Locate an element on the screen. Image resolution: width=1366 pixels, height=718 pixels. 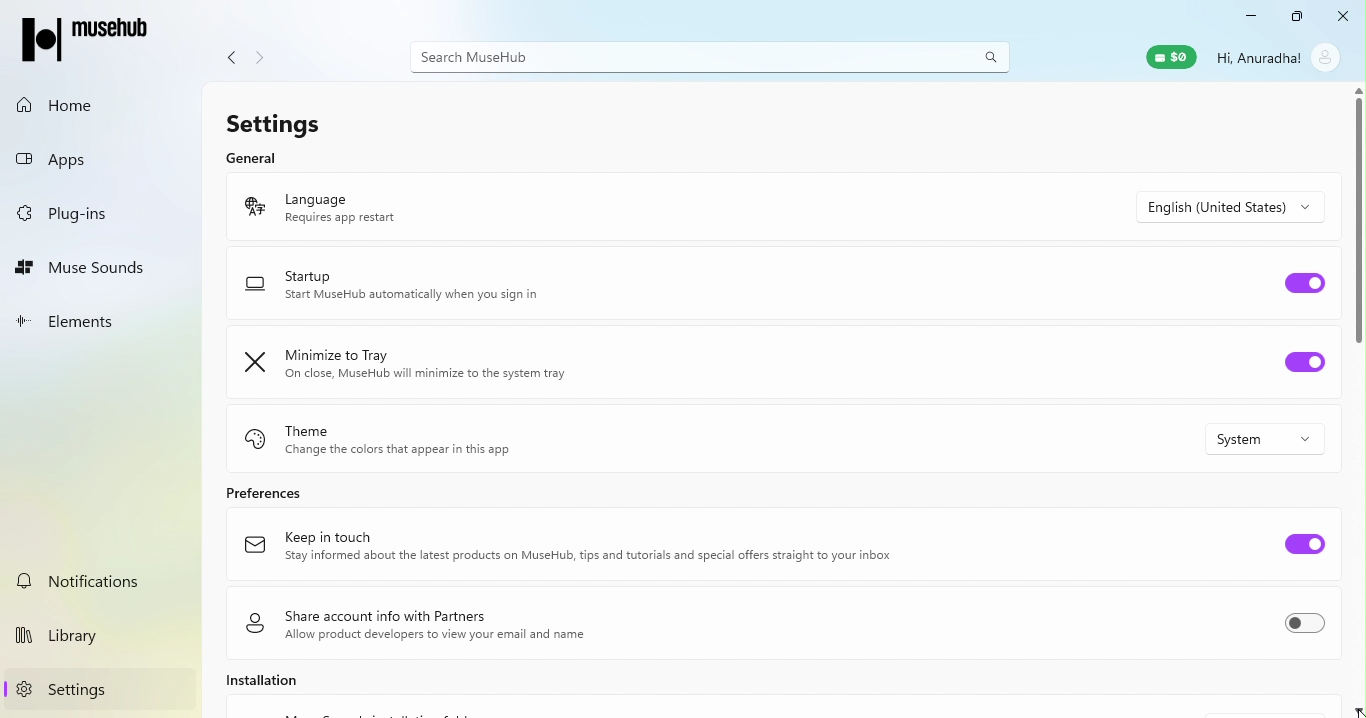
Preferences is located at coordinates (274, 497).